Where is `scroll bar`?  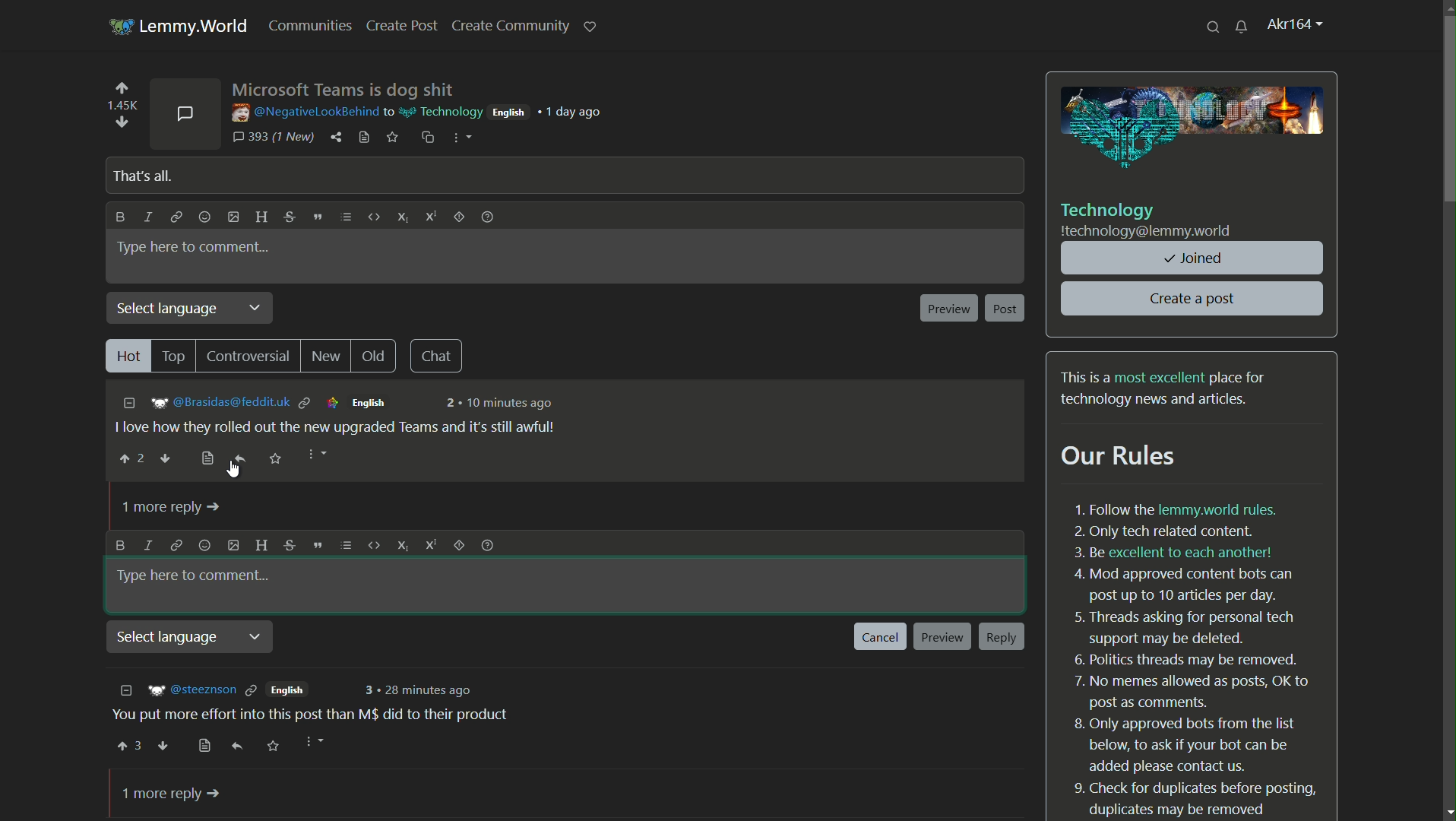 scroll bar is located at coordinates (1449, 125).